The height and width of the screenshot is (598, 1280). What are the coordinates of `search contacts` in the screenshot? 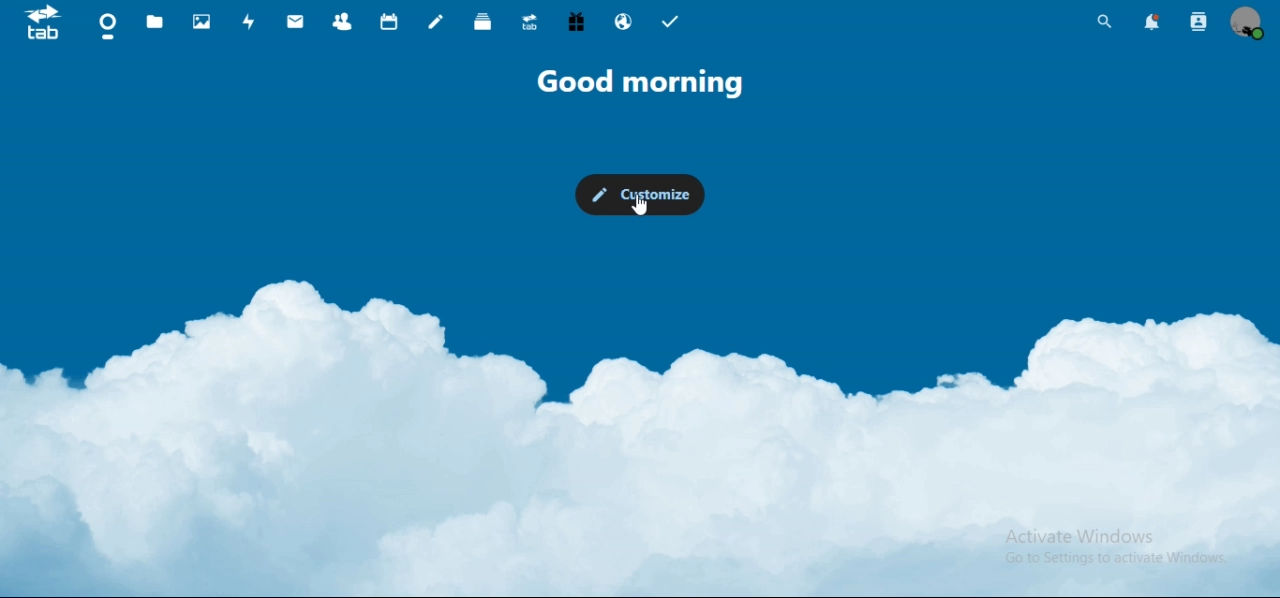 It's located at (1198, 21).